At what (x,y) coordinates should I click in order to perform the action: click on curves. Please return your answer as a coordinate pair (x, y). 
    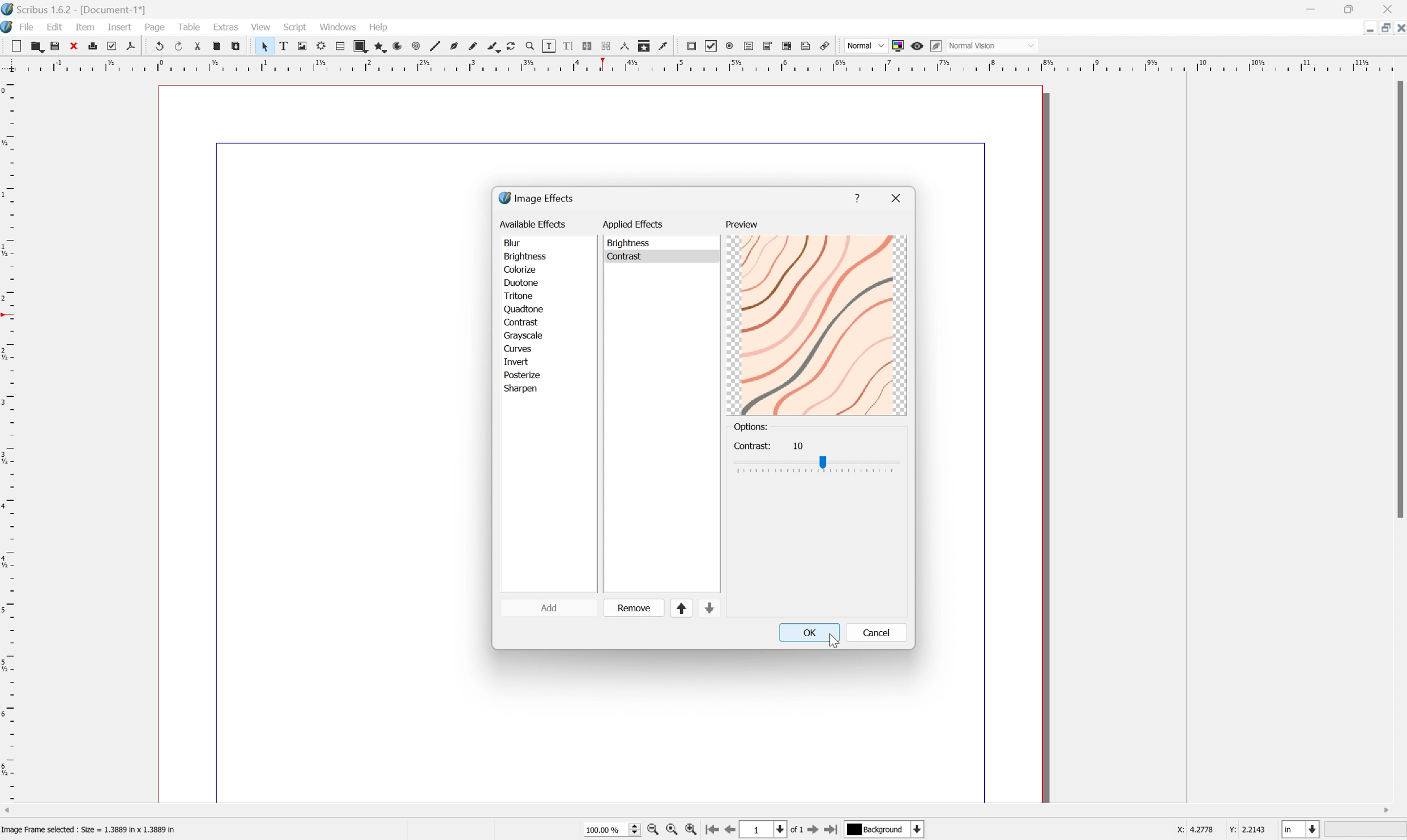
    Looking at the image, I should click on (516, 347).